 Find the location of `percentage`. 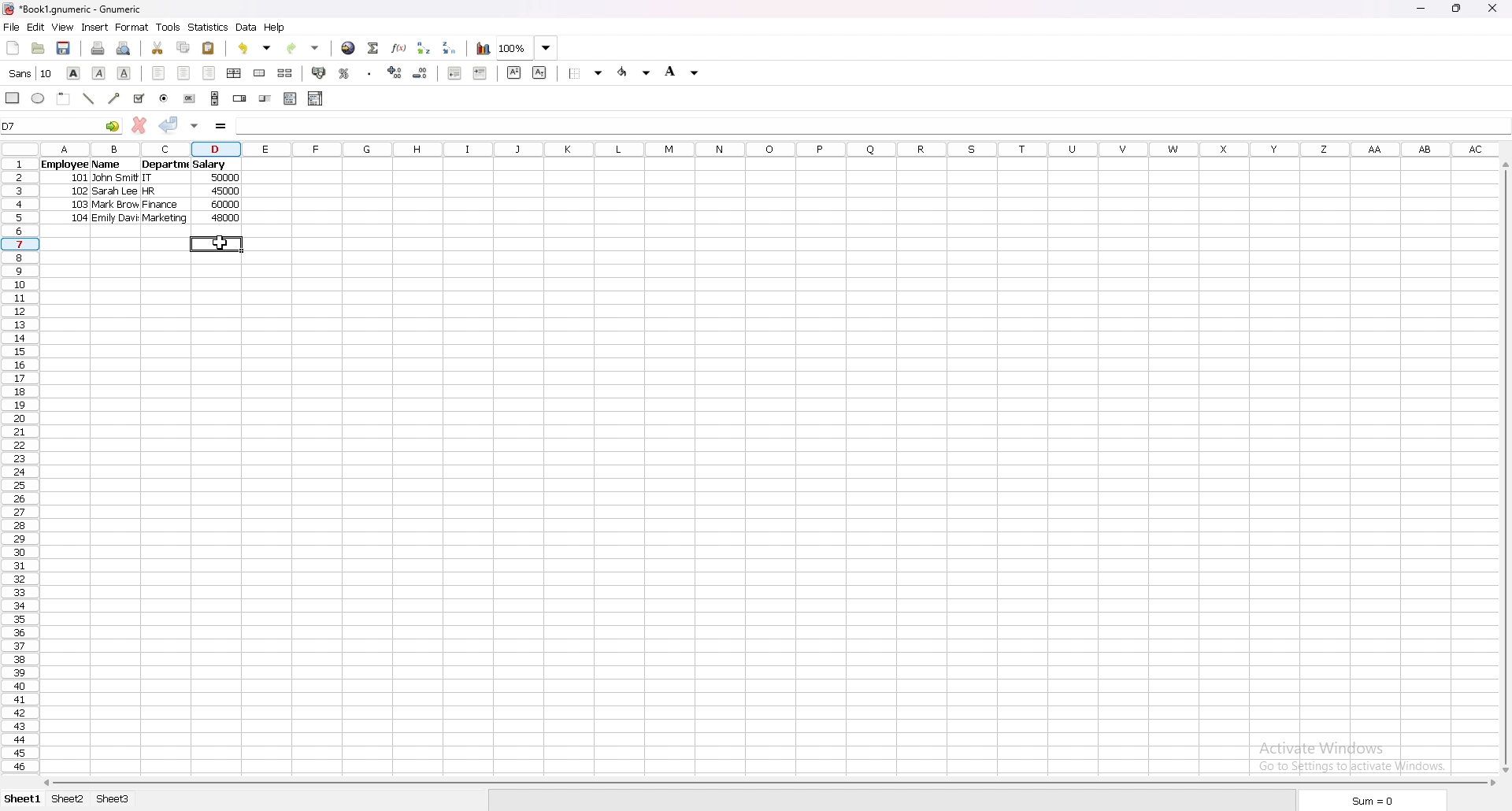

percentage is located at coordinates (345, 72).